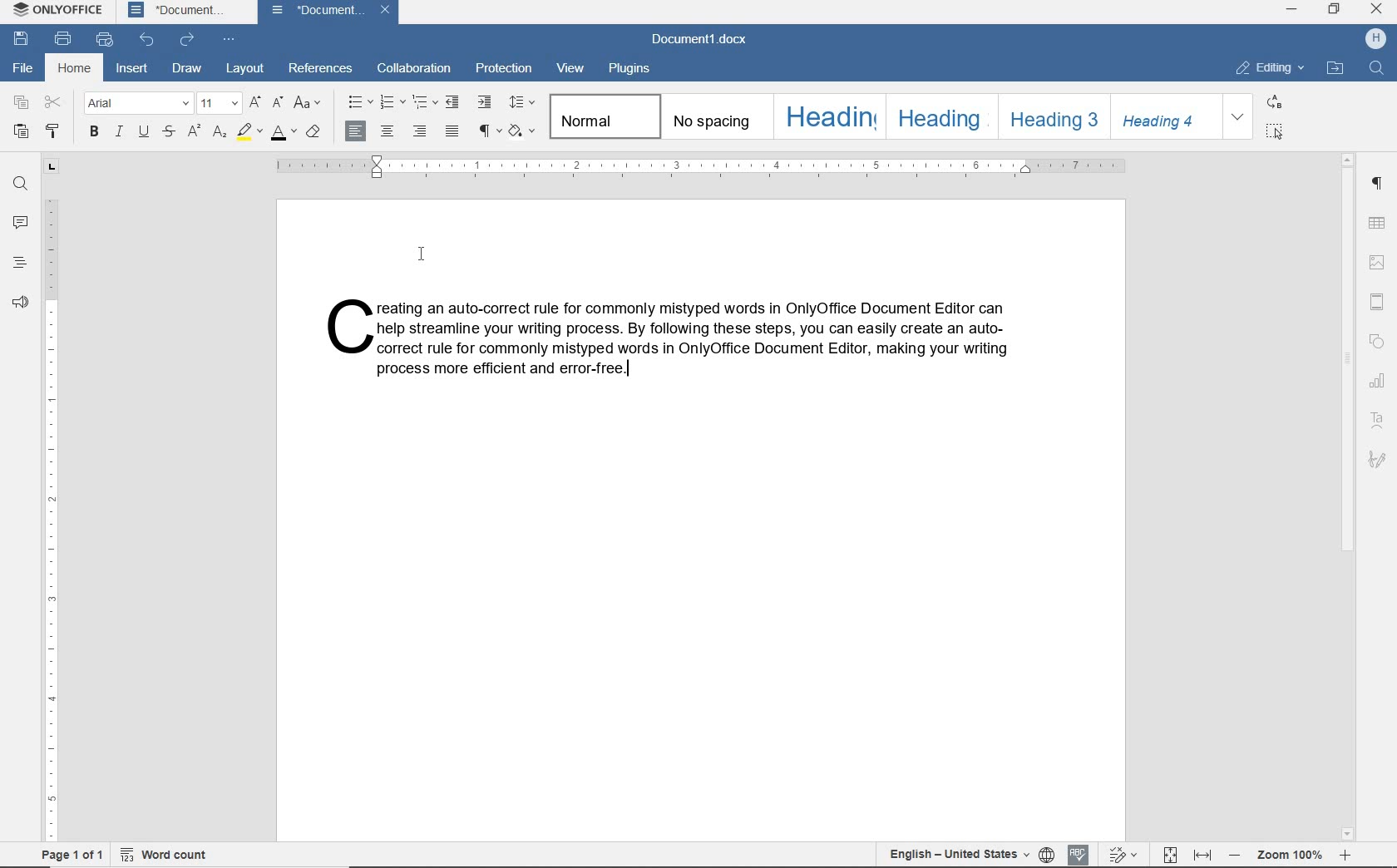 This screenshot has width=1397, height=868. I want to click on FILE, so click(21, 67).